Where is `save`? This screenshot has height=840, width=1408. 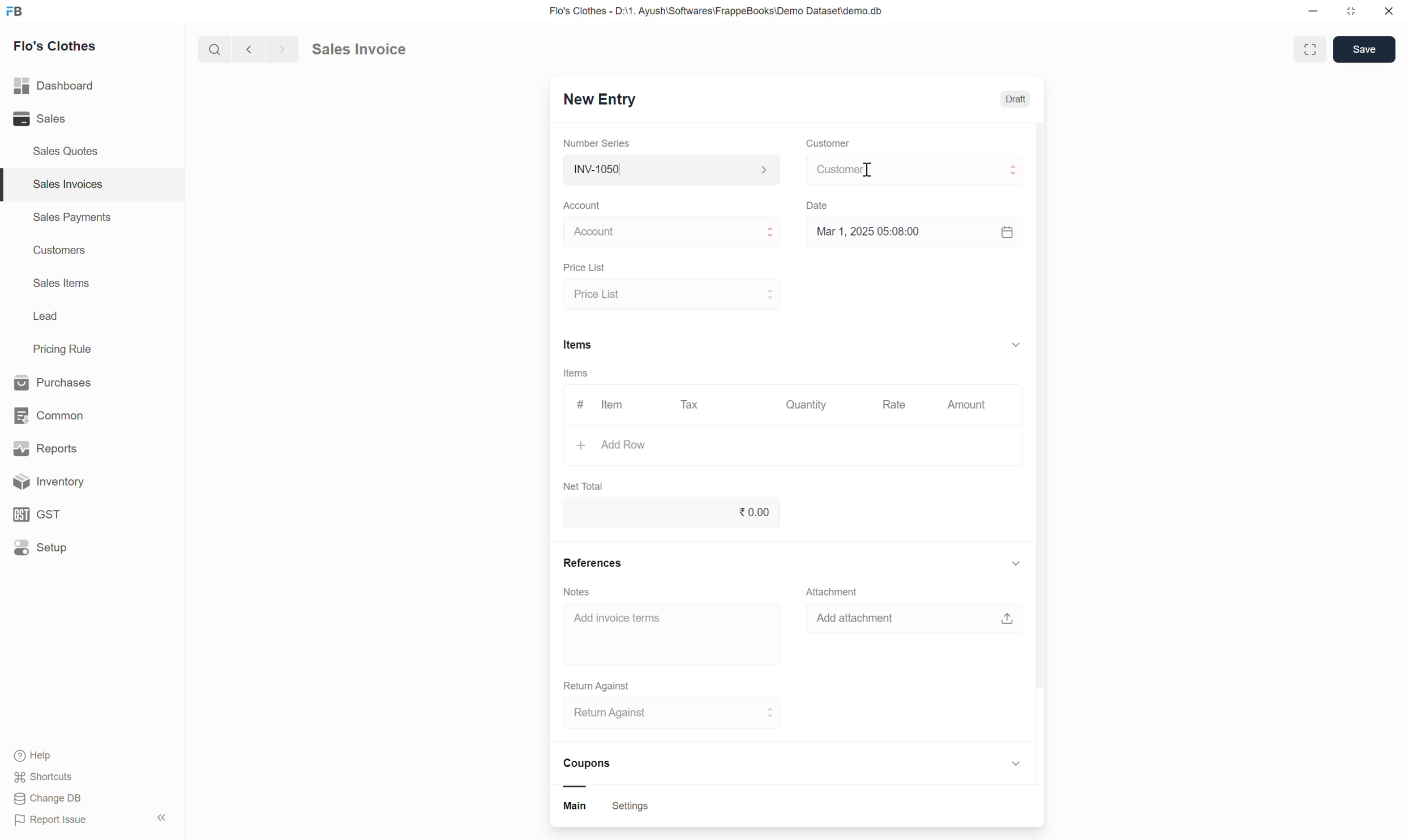
save is located at coordinates (1364, 51).